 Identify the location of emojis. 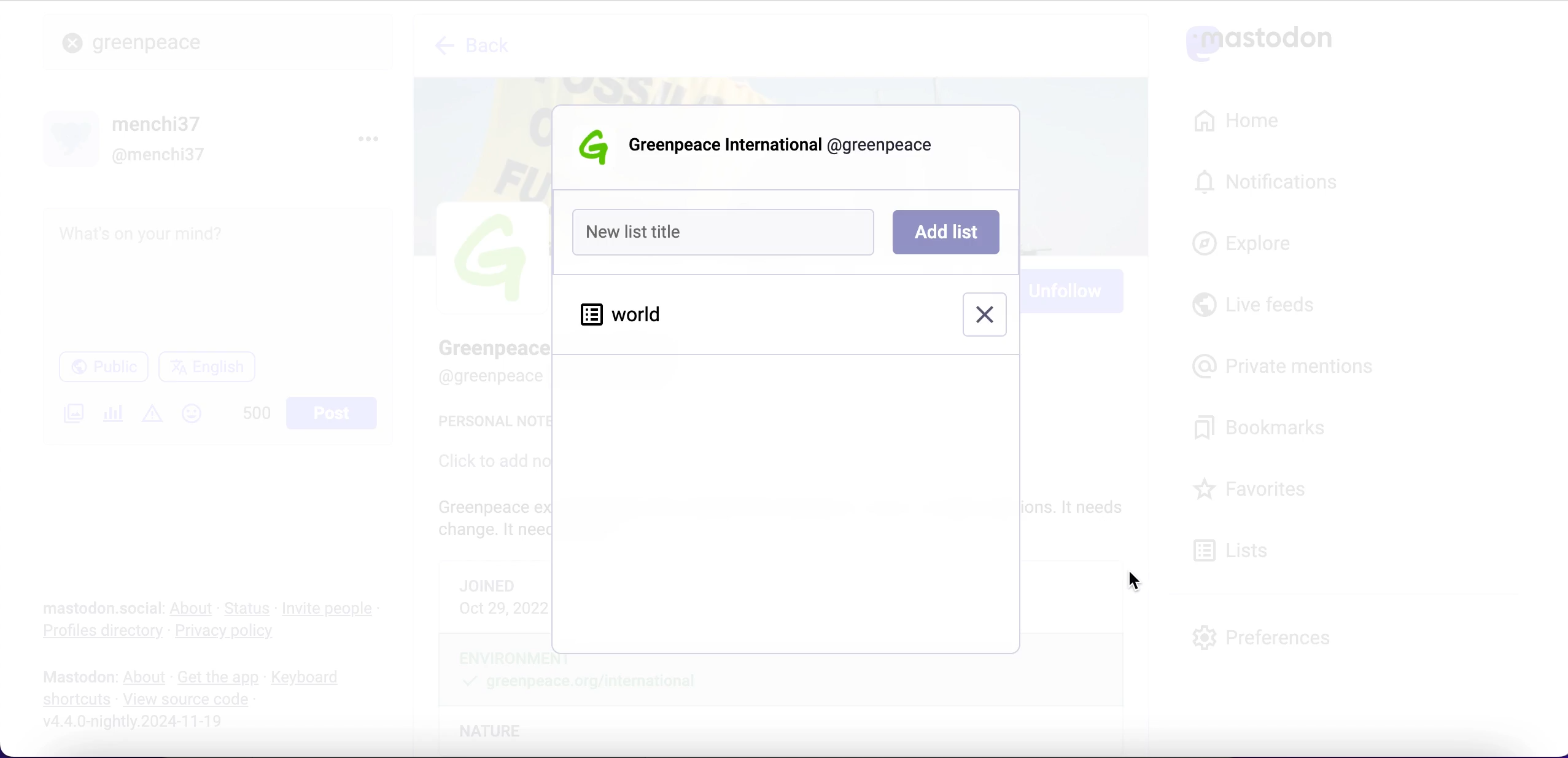
(197, 420).